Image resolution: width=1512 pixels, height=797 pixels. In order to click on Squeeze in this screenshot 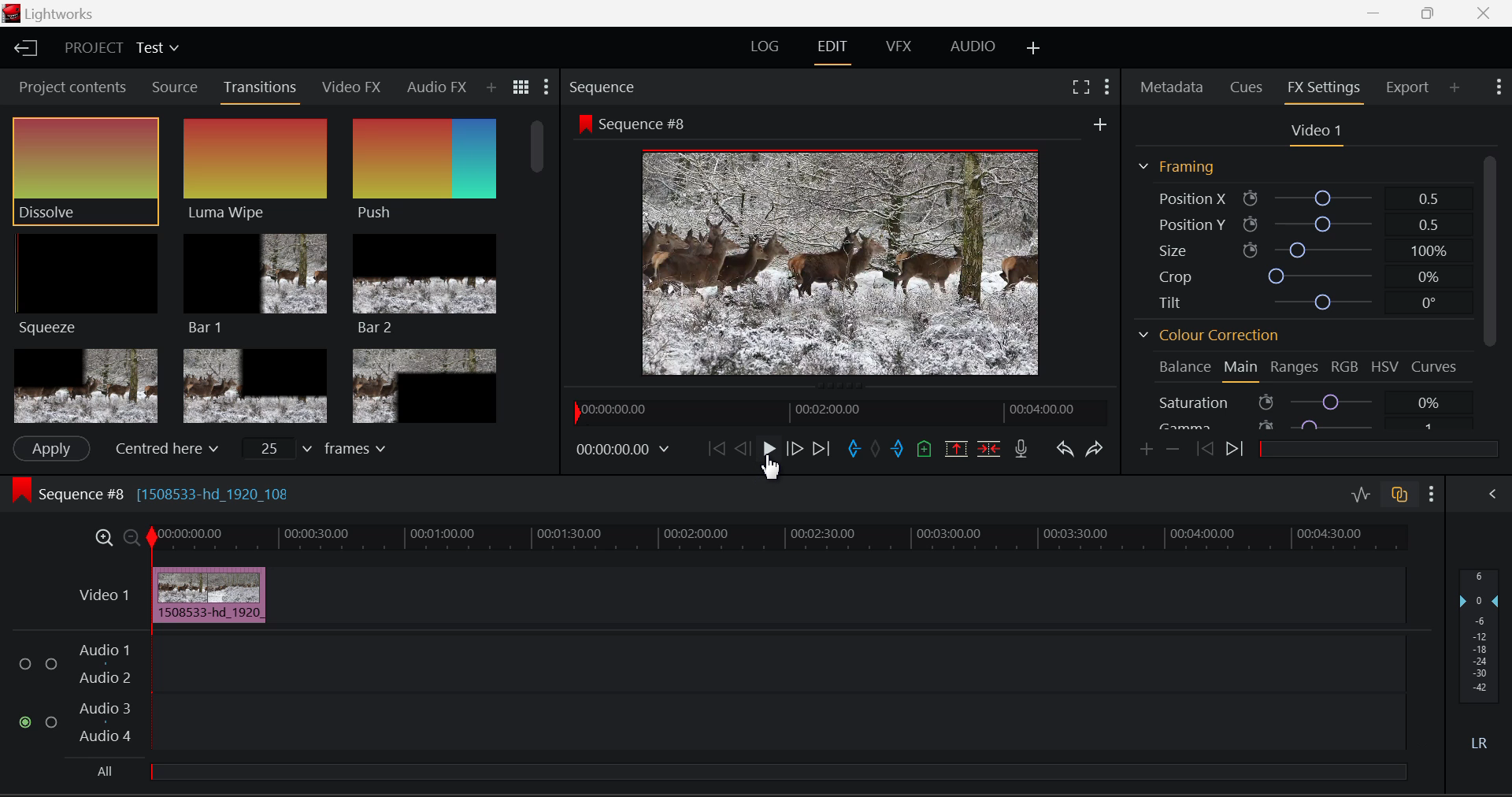, I will do `click(89, 287)`.